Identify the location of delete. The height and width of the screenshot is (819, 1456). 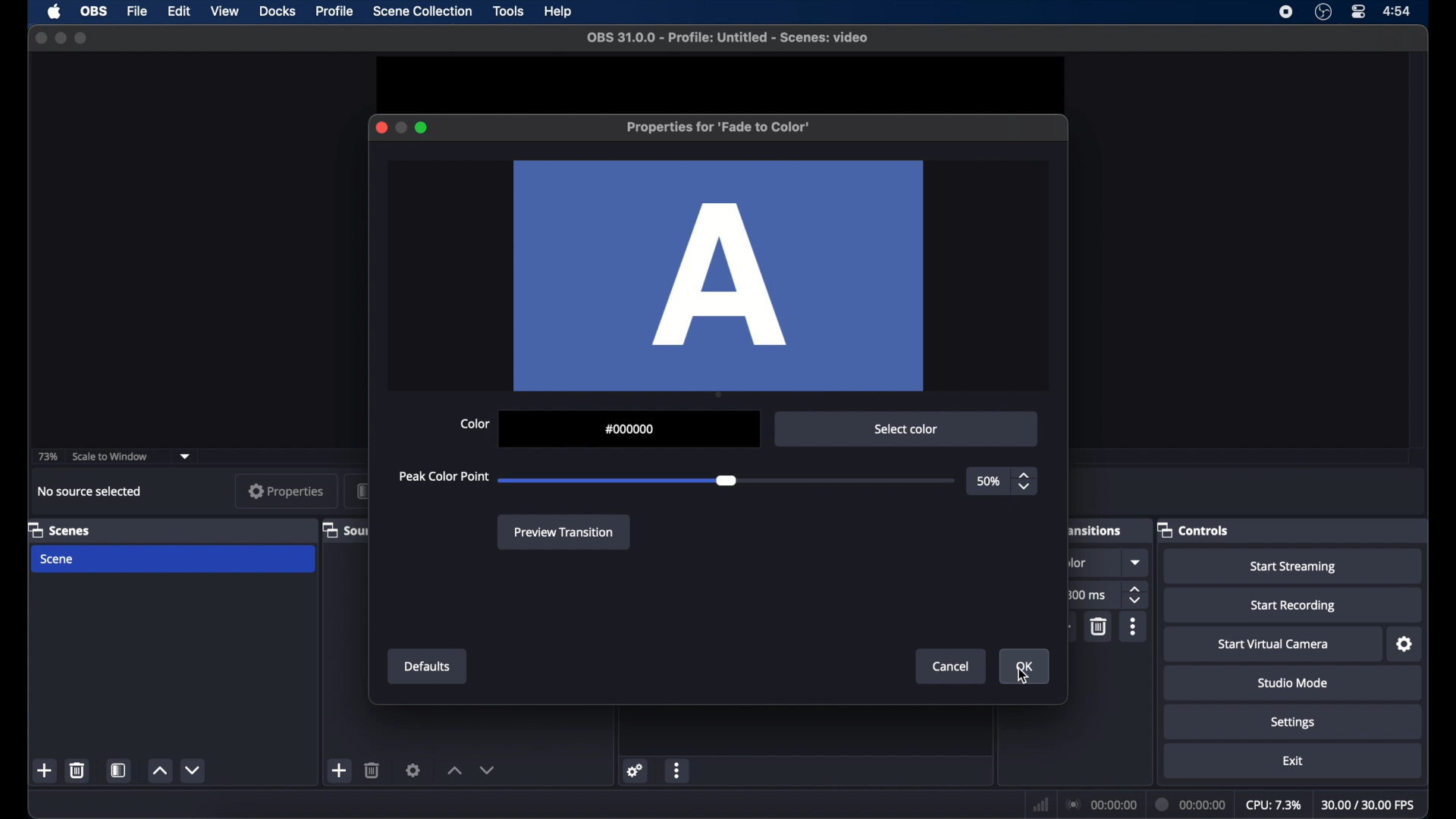
(77, 770).